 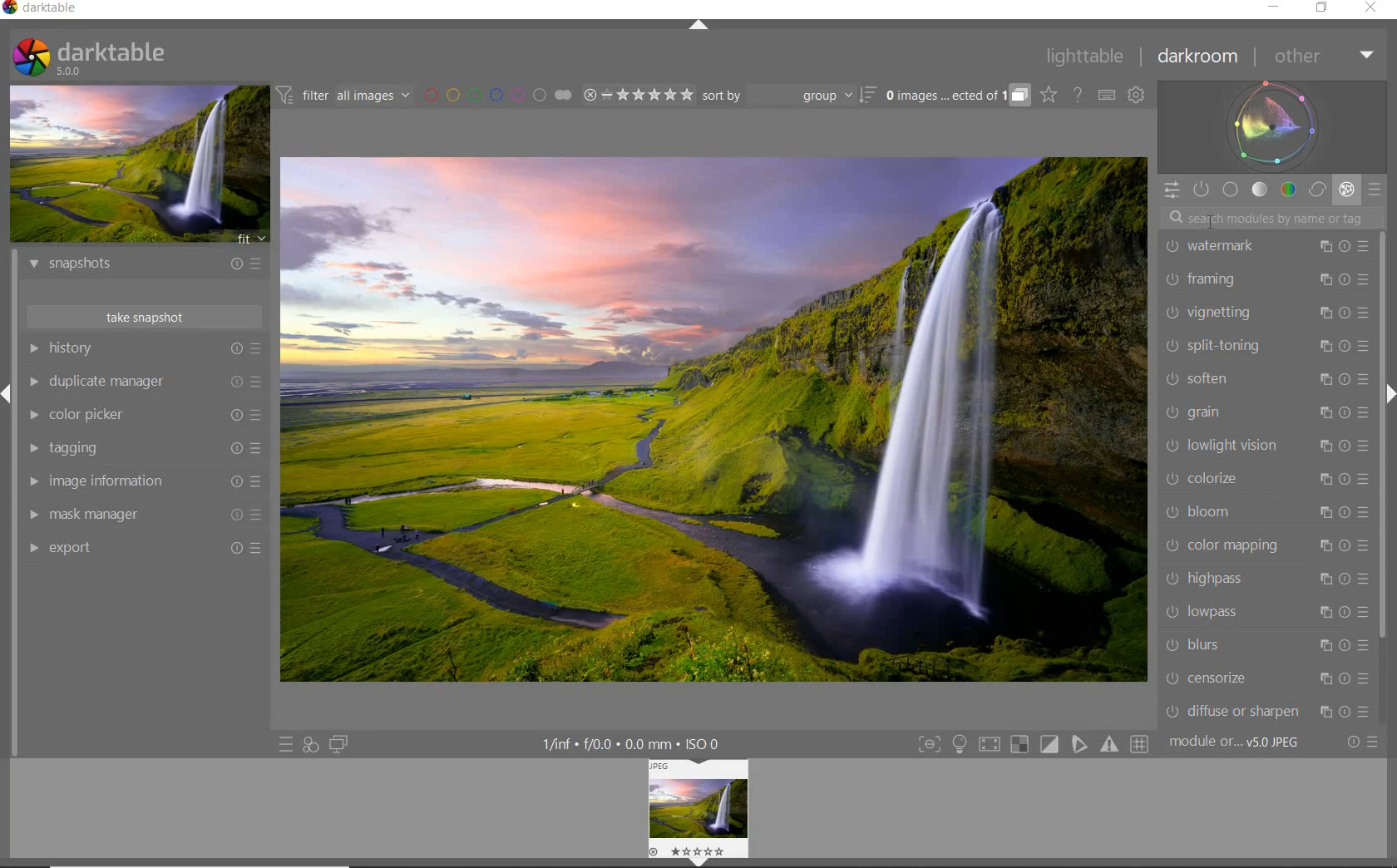 I want to click on SEARCH MODULE BY NAME, so click(x=1271, y=218).